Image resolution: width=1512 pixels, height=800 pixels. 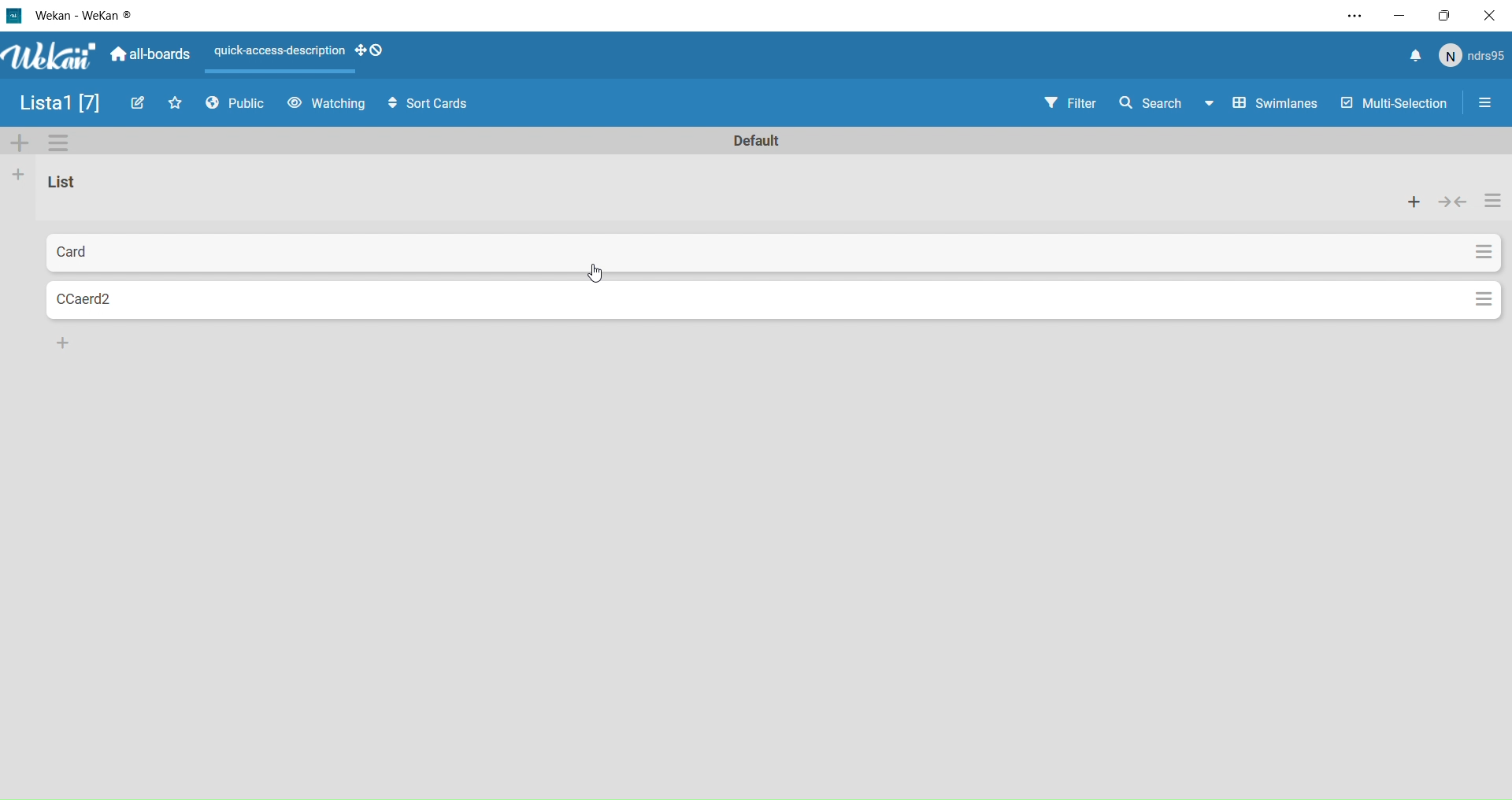 I want to click on WeKan, so click(x=84, y=17).